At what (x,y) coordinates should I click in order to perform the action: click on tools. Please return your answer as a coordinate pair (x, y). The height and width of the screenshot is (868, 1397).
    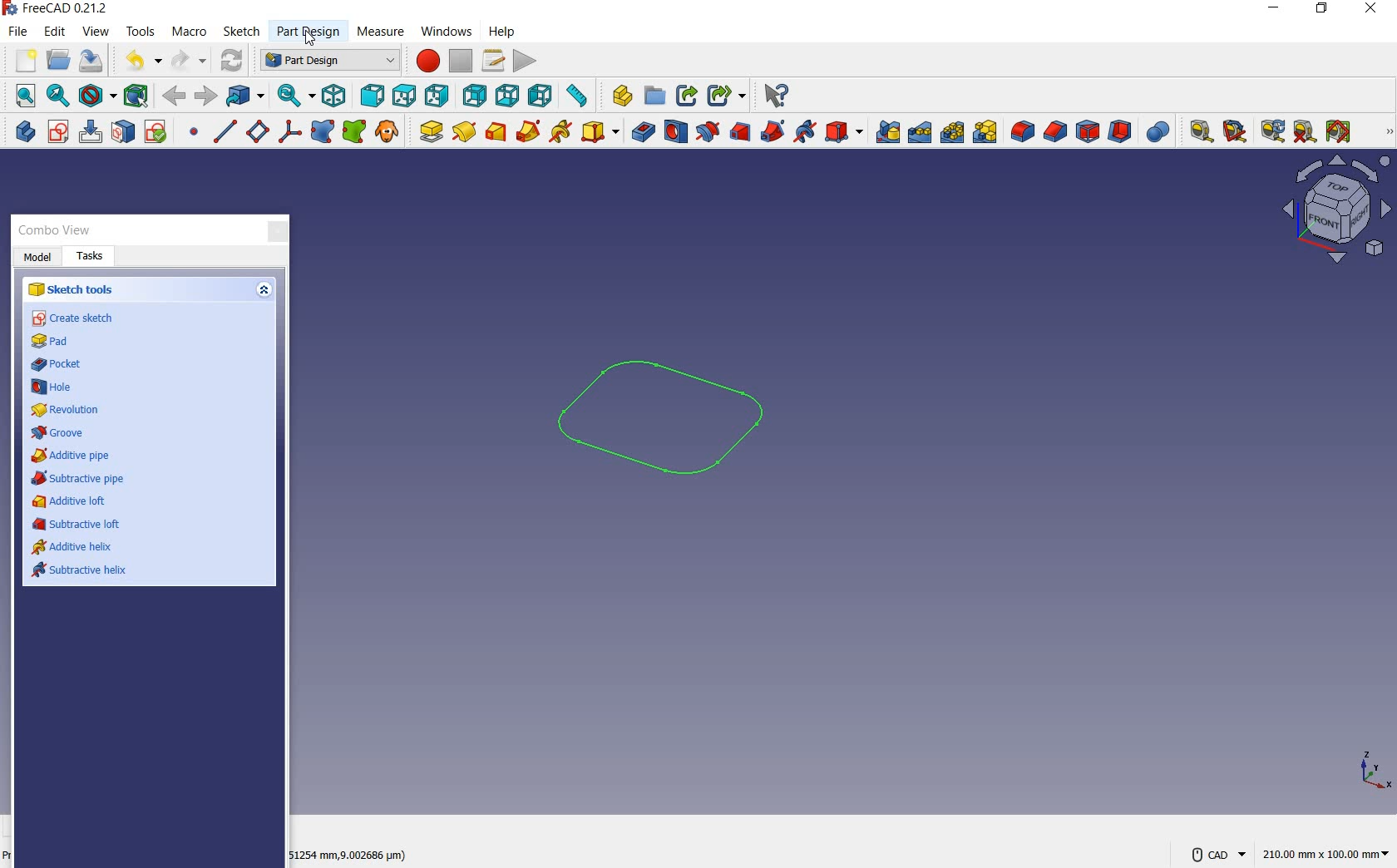
    Looking at the image, I should click on (143, 33).